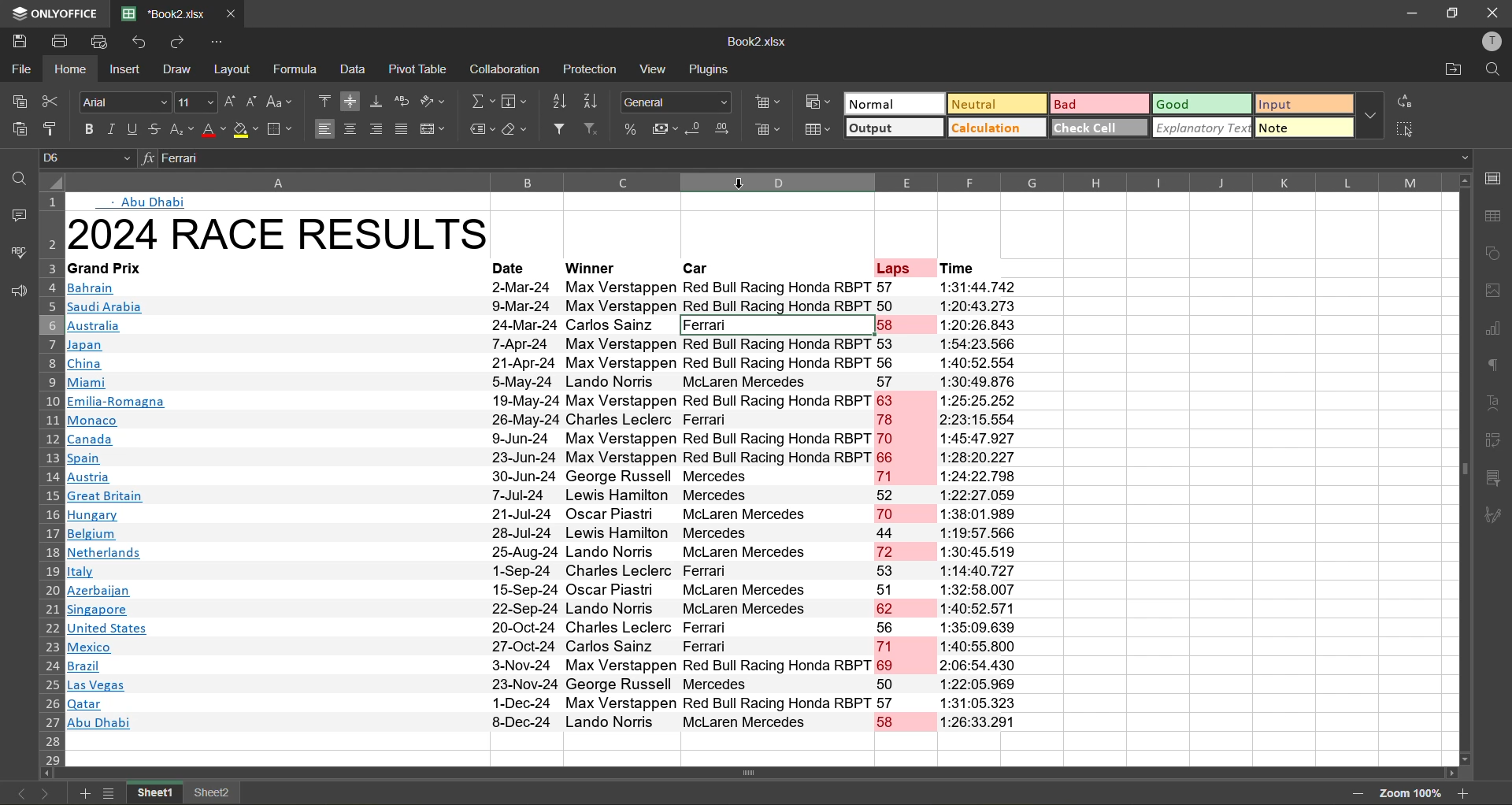 This screenshot has width=1512, height=805. What do you see at coordinates (150, 203) in the screenshot?
I see ` Abu Dhabi` at bounding box center [150, 203].